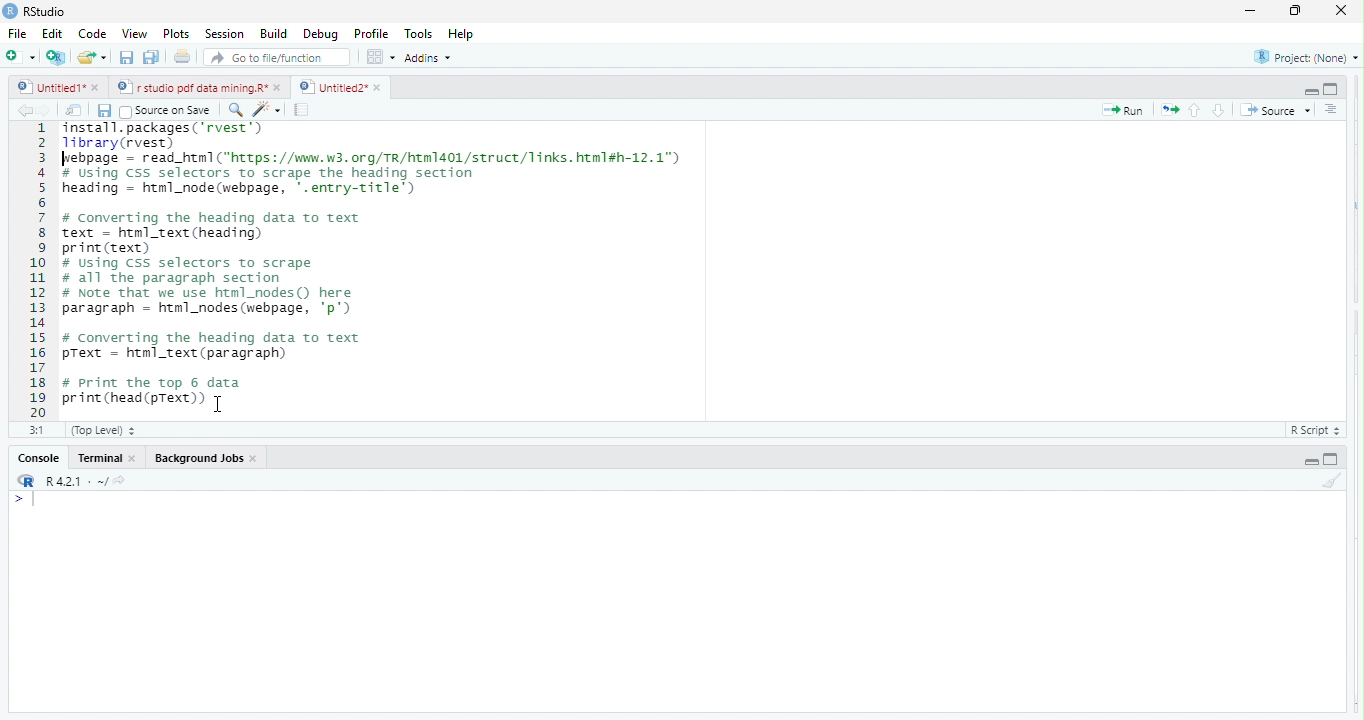 This screenshot has height=720, width=1364. What do you see at coordinates (54, 57) in the screenshot?
I see `create a project` at bounding box center [54, 57].